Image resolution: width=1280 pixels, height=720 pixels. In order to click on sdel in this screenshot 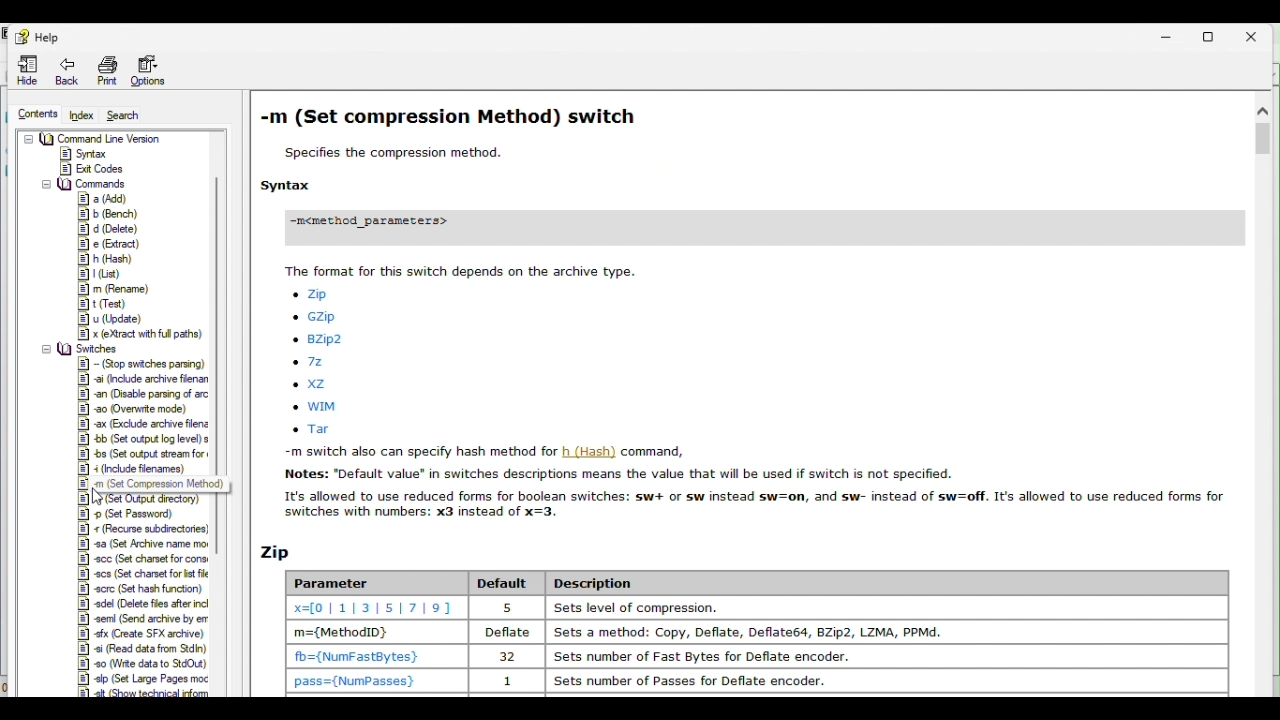, I will do `click(140, 604)`.